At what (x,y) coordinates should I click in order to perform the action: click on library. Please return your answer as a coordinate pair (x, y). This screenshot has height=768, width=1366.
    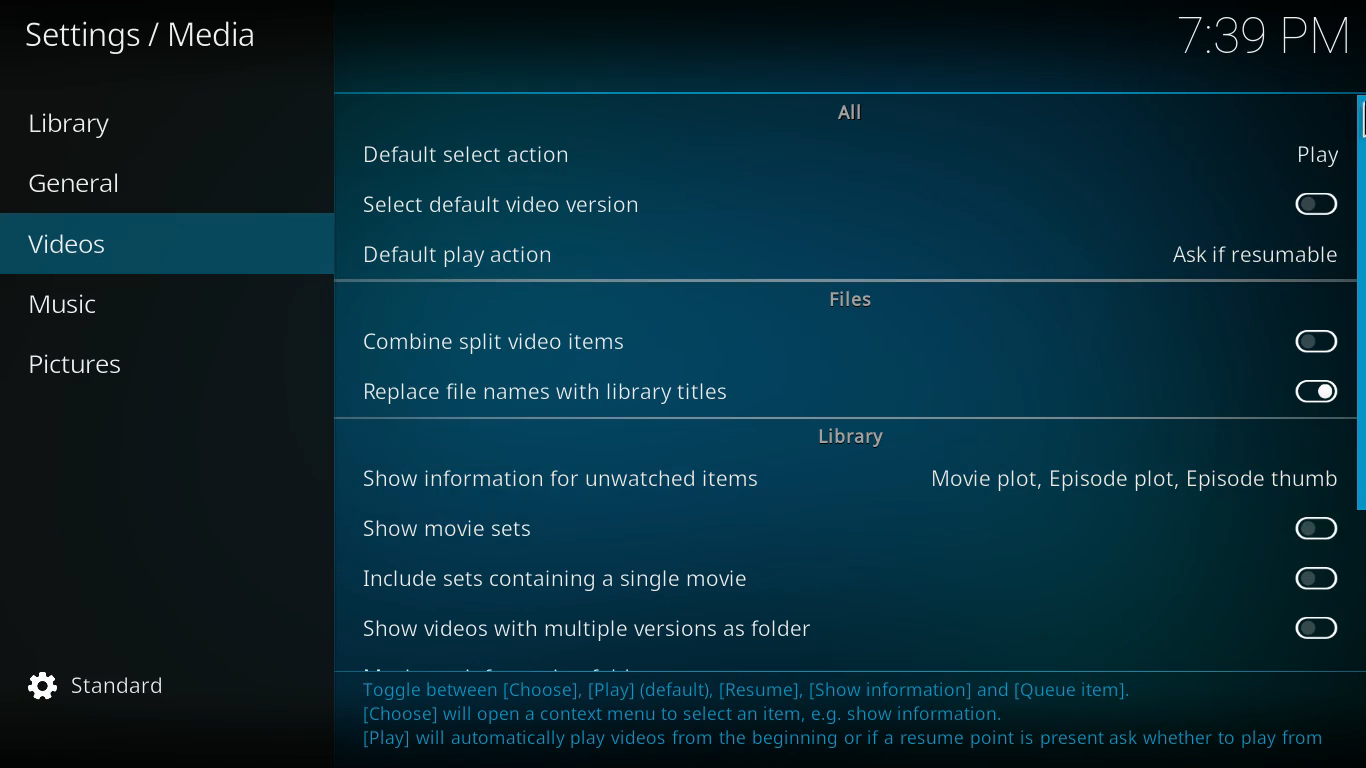
    Looking at the image, I should click on (854, 440).